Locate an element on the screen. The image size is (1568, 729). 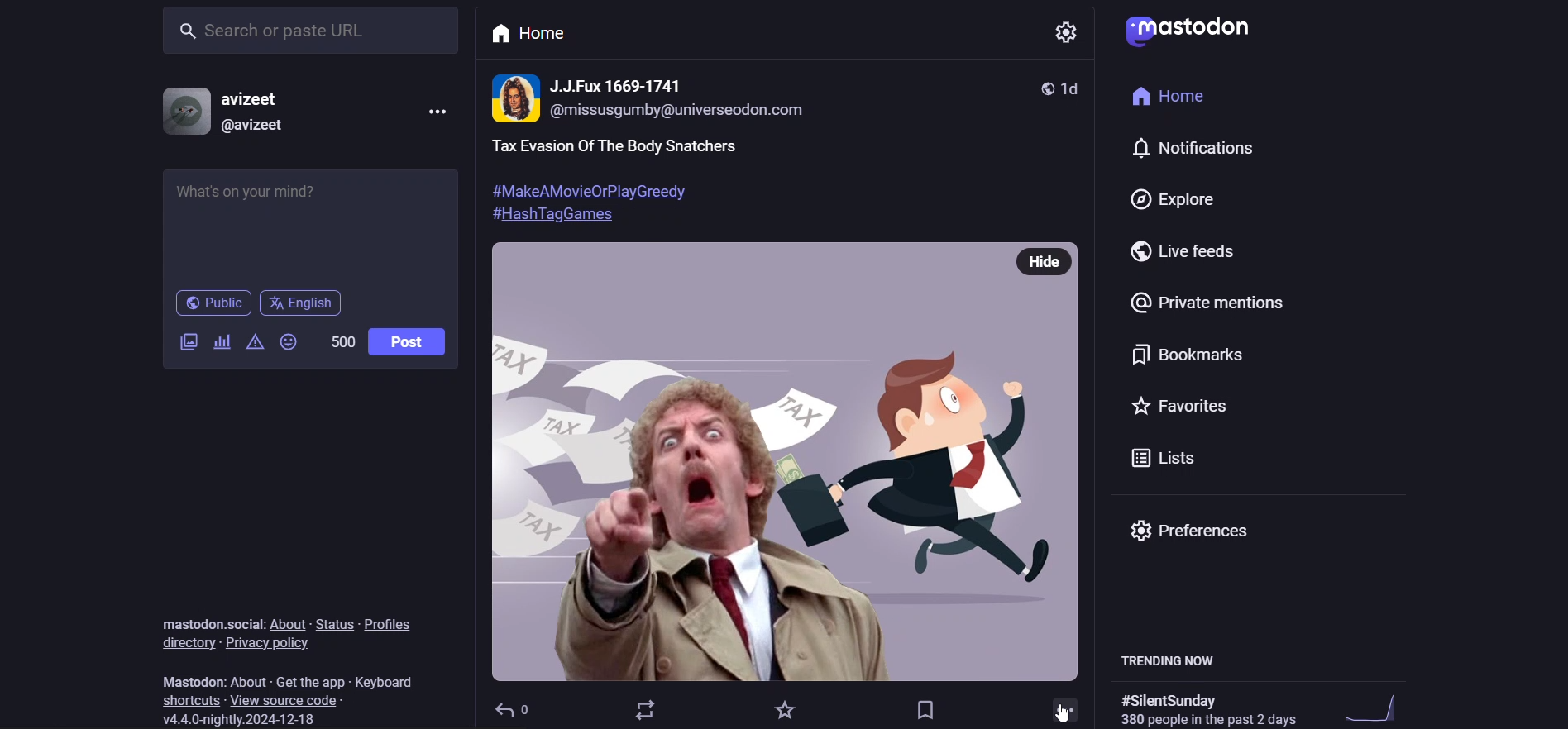
avizeet is located at coordinates (253, 102).